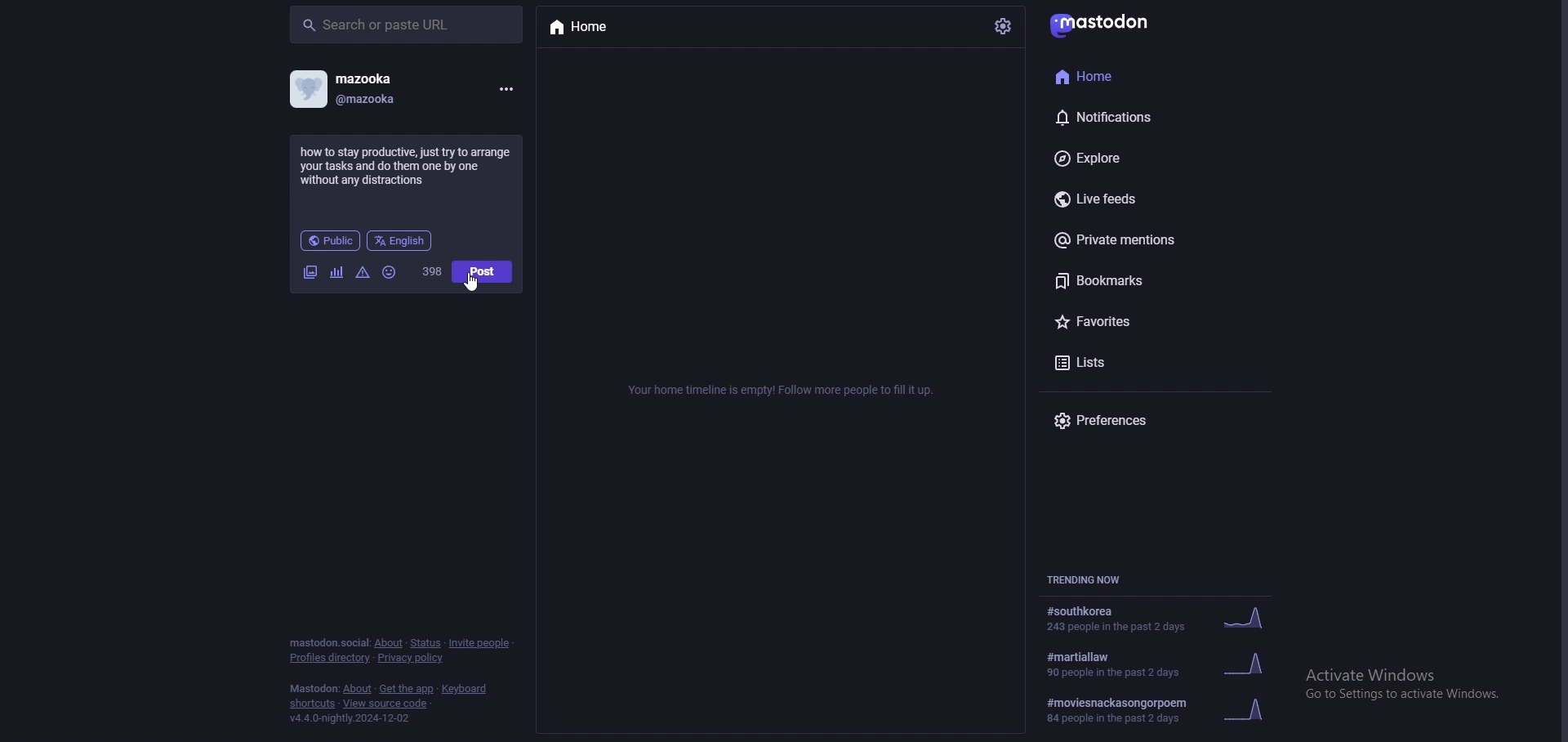 The height and width of the screenshot is (742, 1568). I want to click on profiles directory, so click(331, 658).